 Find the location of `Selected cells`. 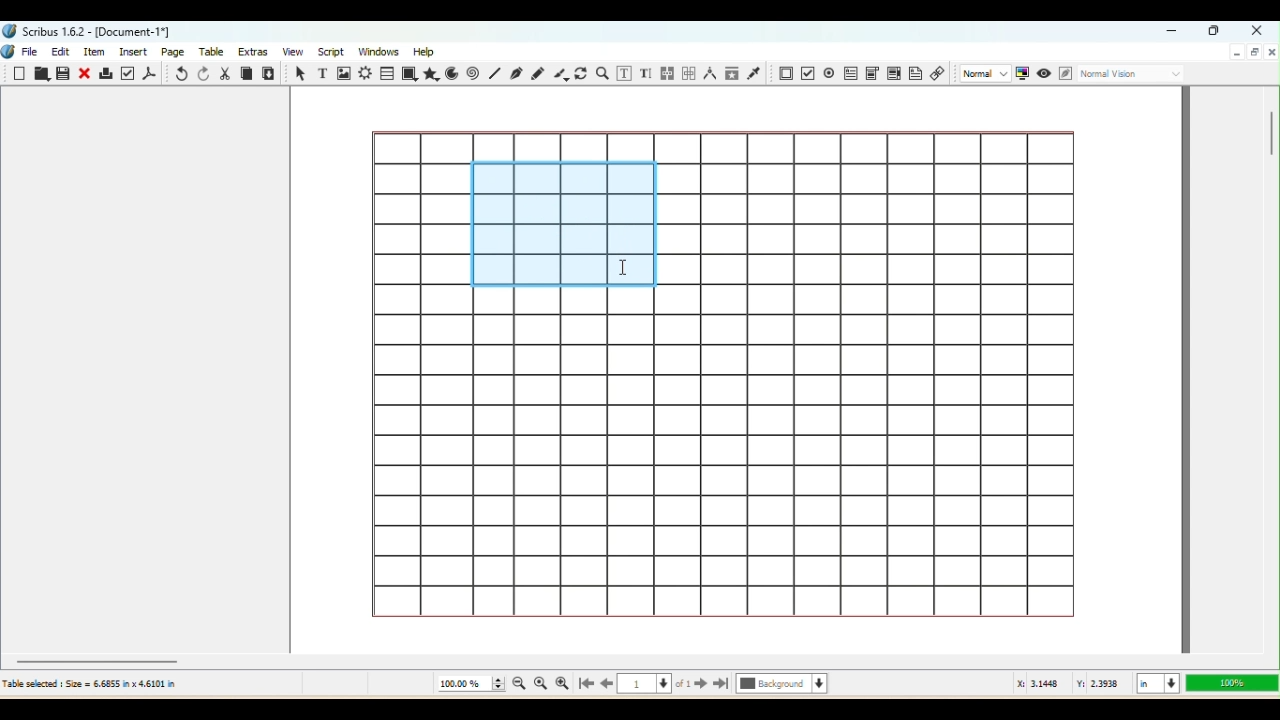

Selected cells is located at coordinates (560, 226).